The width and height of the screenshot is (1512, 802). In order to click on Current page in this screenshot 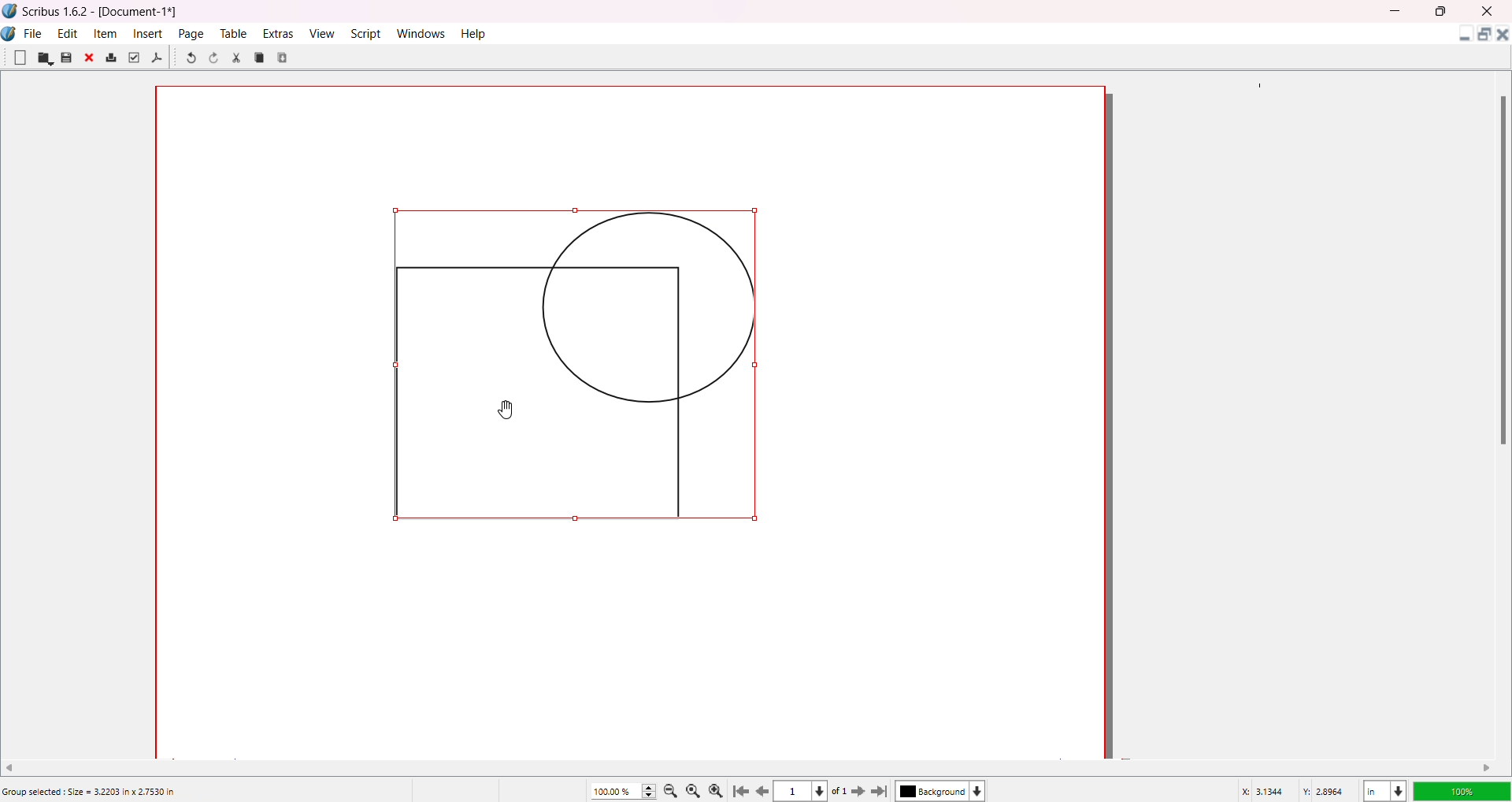, I will do `click(795, 792)`.